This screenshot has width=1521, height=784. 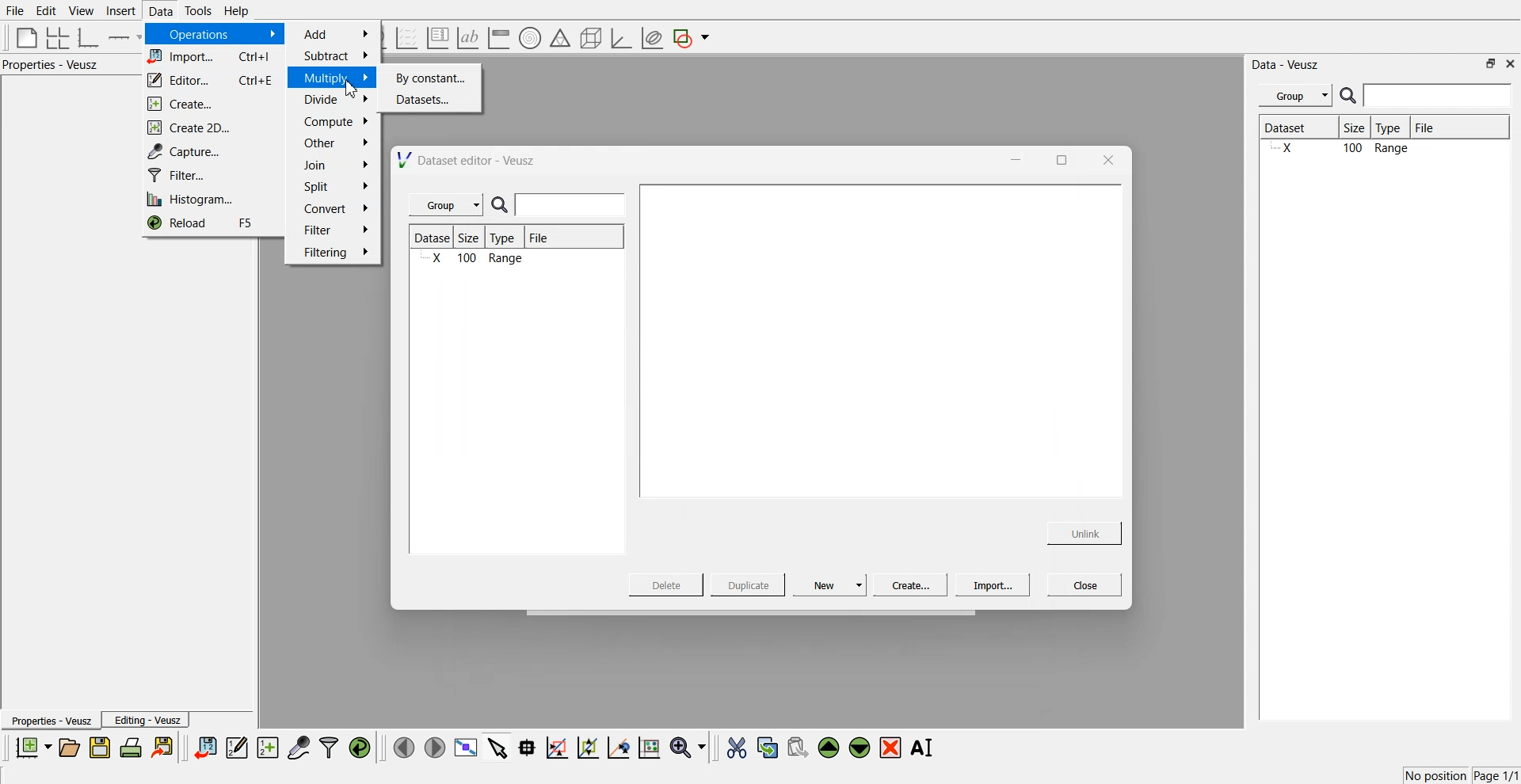 What do you see at coordinates (507, 238) in the screenshot?
I see `Type` at bounding box center [507, 238].